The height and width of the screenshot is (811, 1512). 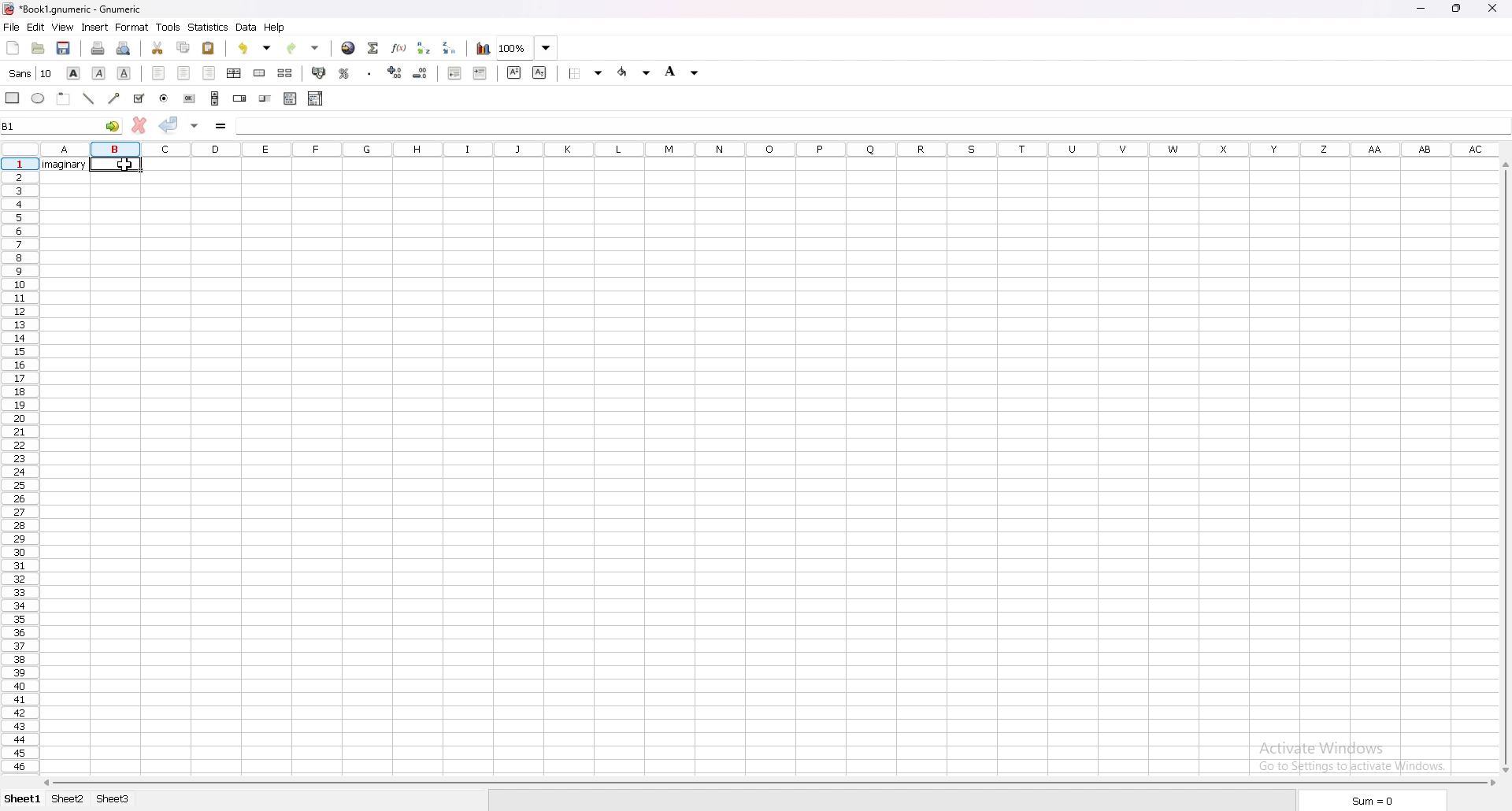 I want to click on scroll bar, so click(x=216, y=98).